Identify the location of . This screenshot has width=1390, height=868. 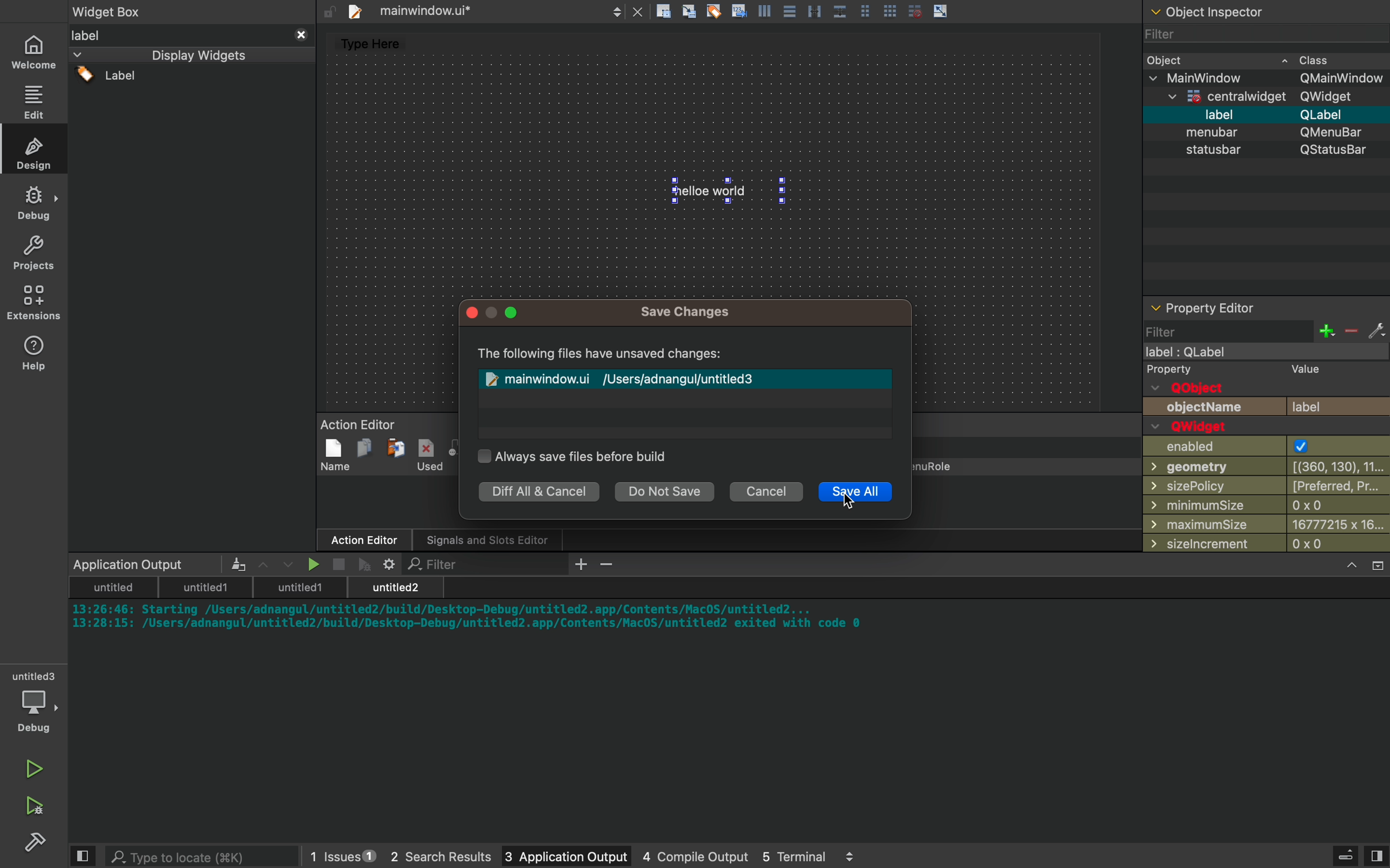
(1264, 115).